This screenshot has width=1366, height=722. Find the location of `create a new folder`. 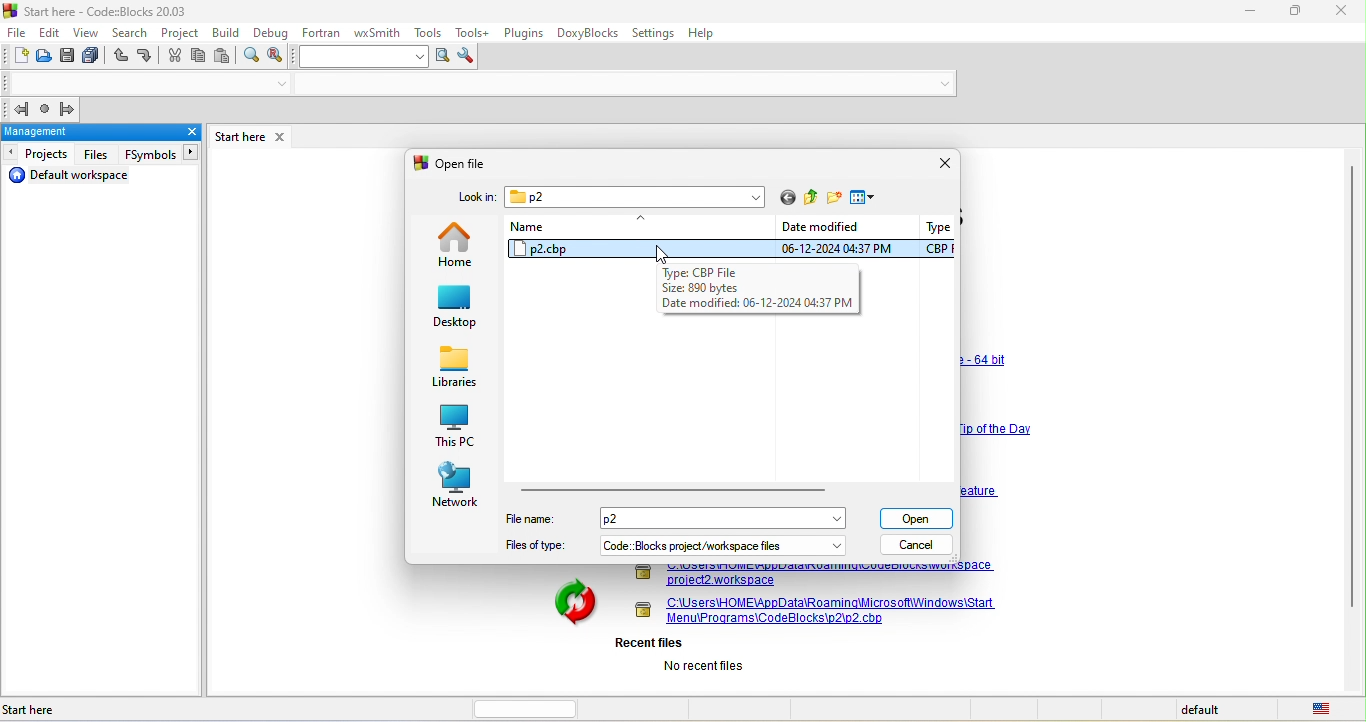

create a new folder is located at coordinates (835, 199).